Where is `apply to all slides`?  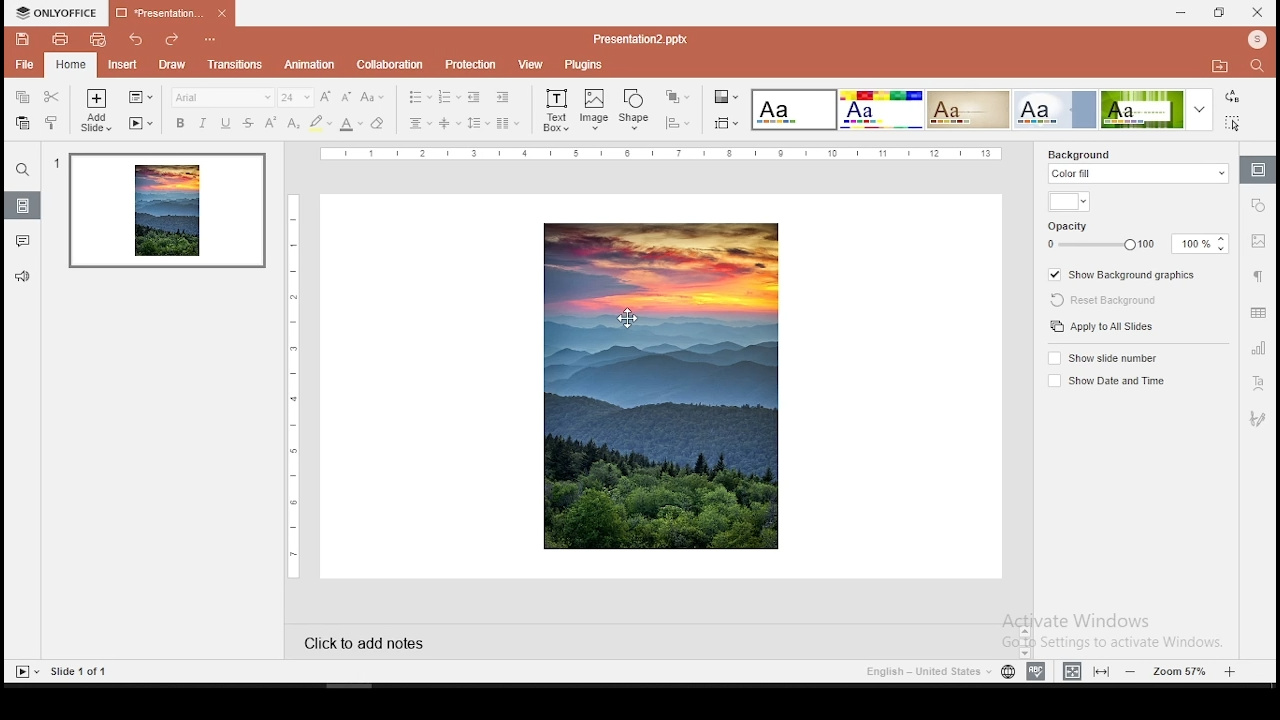 apply to all slides is located at coordinates (1101, 326).